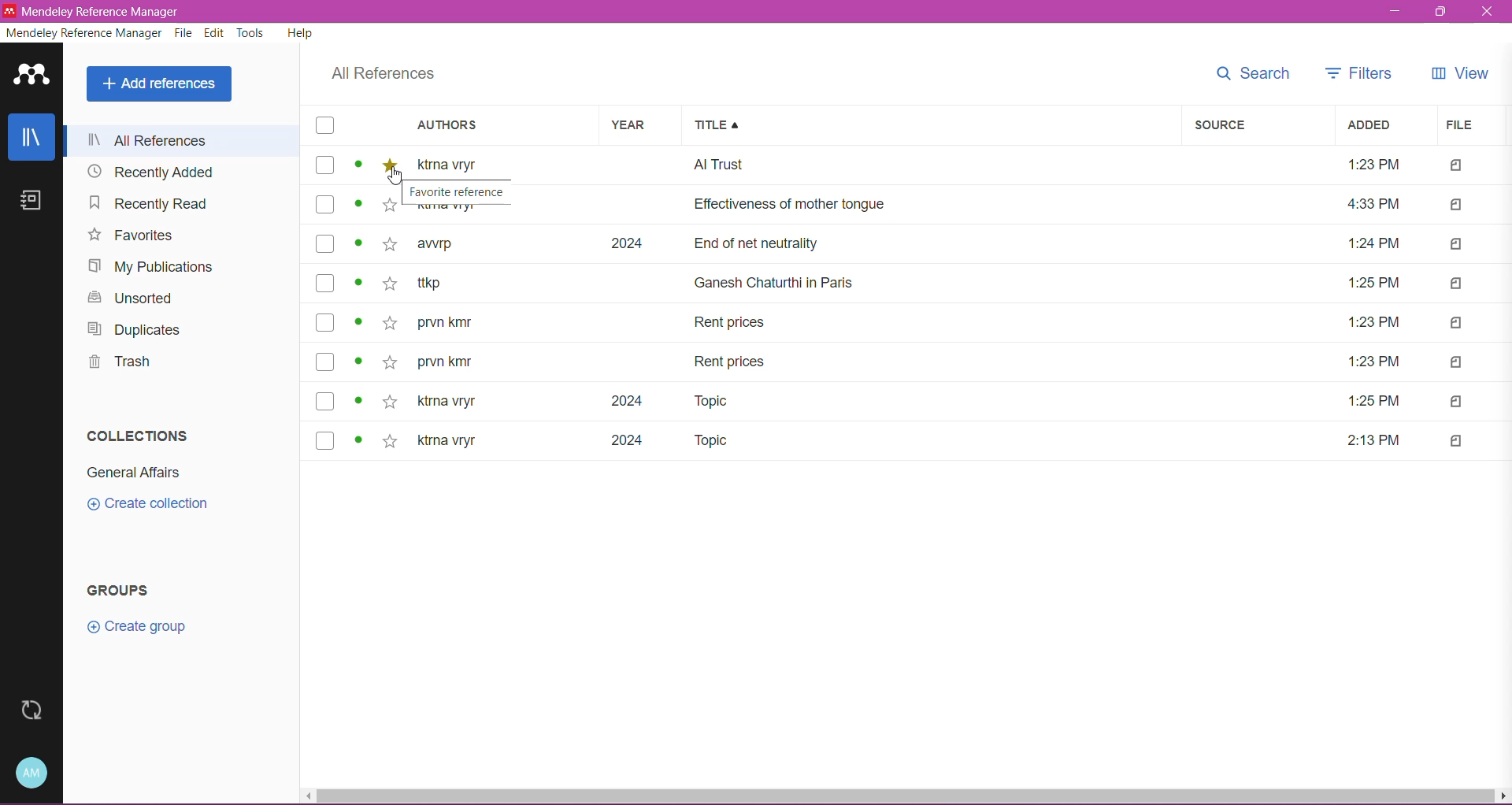 This screenshot has height=805, width=1512. What do you see at coordinates (1460, 76) in the screenshot?
I see `View` at bounding box center [1460, 76].